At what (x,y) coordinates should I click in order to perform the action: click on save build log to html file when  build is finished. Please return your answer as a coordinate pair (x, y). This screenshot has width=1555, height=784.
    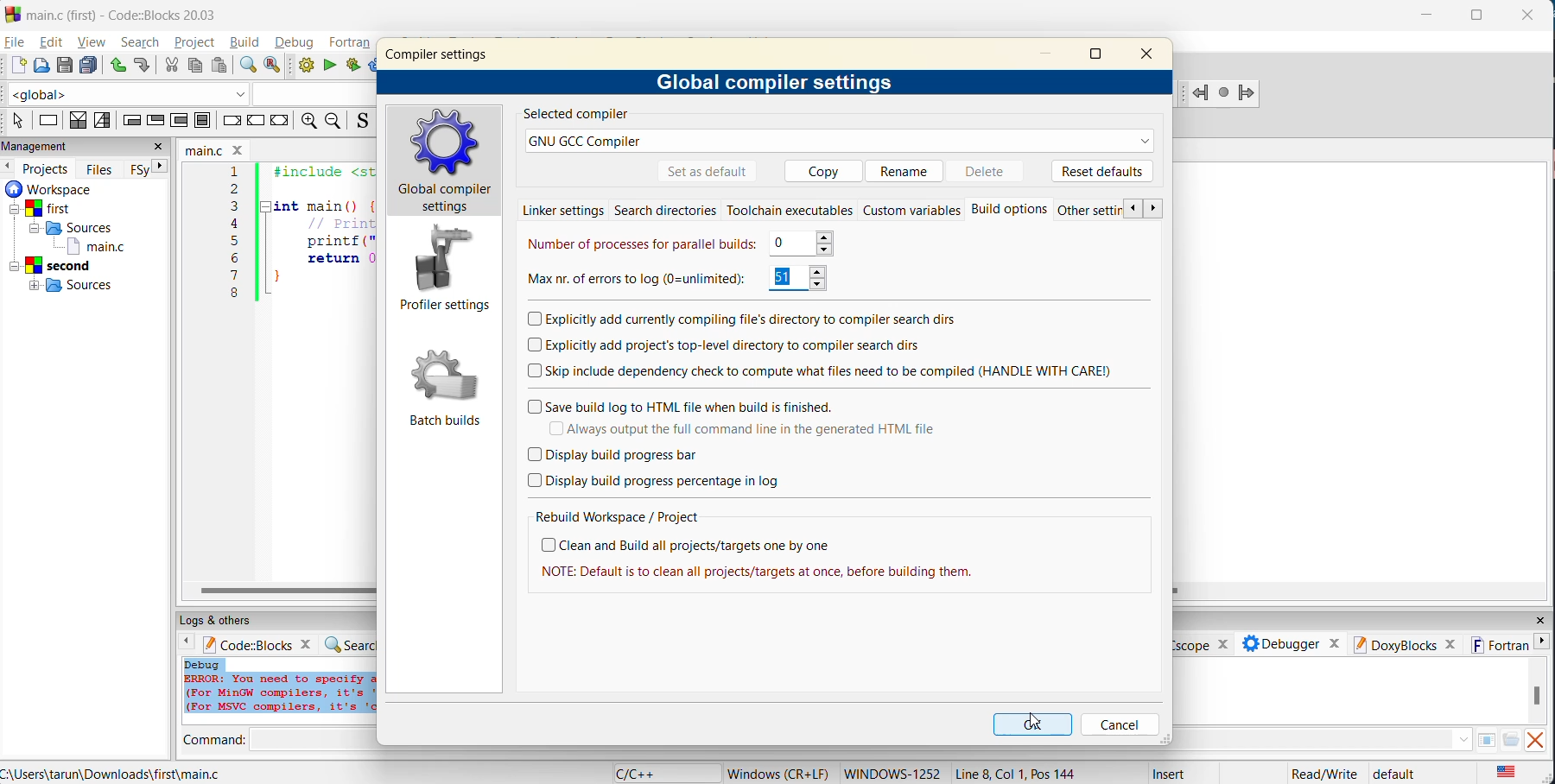
    Looking at the image, I should click on (682, 406).